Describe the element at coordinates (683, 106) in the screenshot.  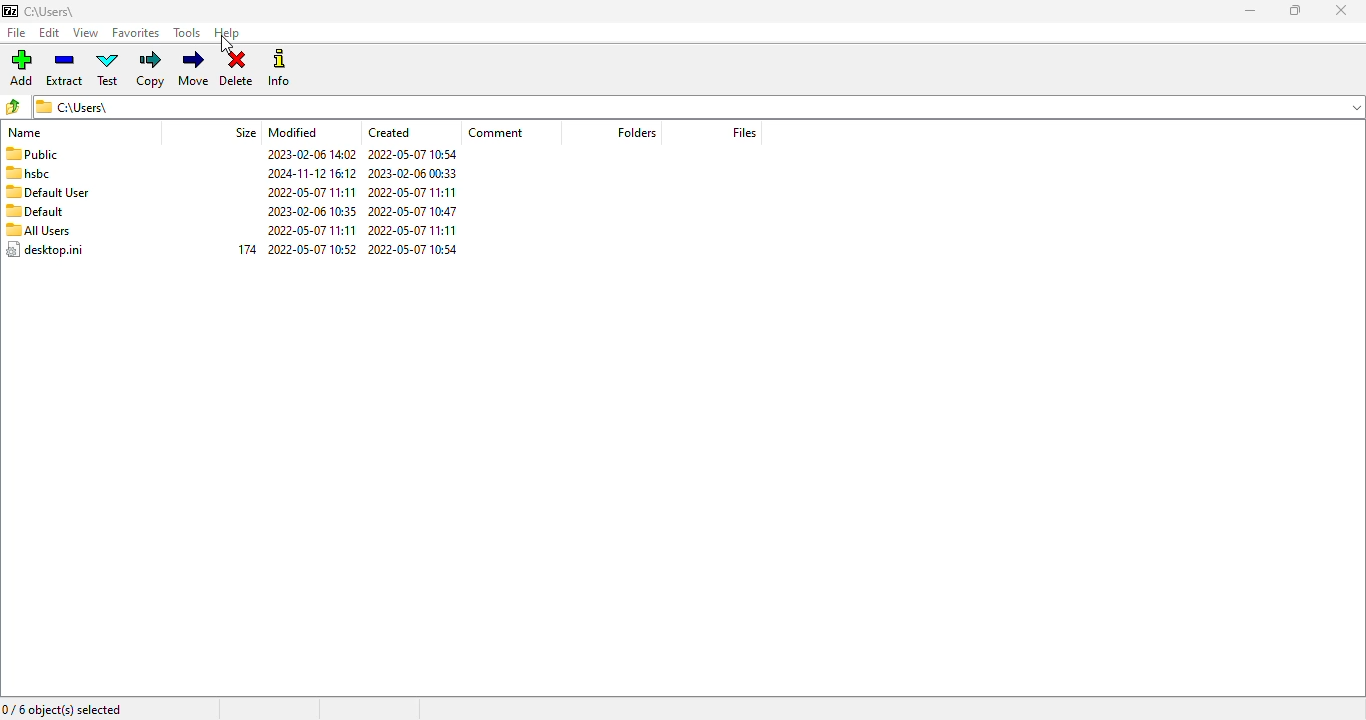
I see `current folder` at that location.